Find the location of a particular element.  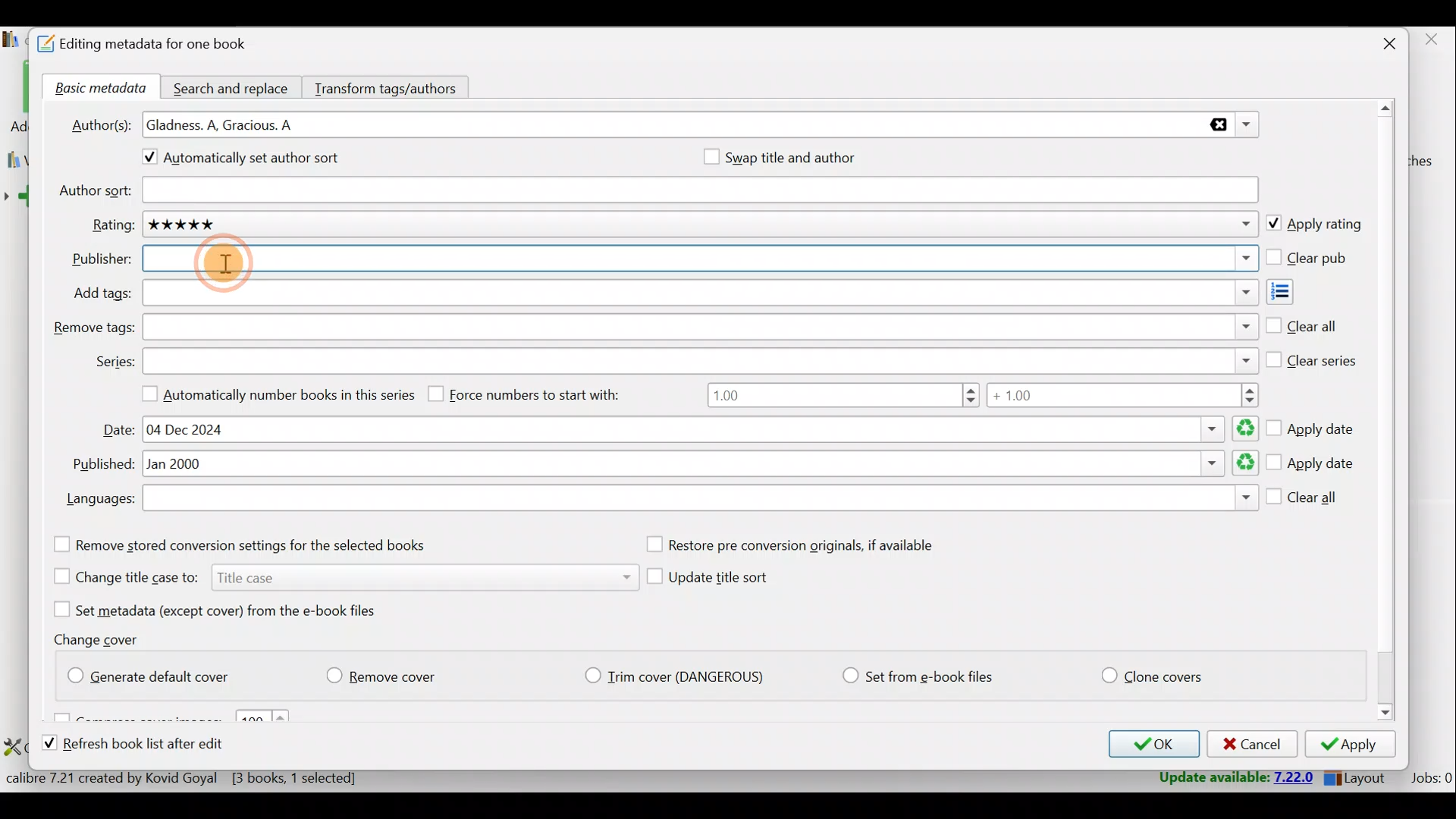

Trim cover (Dangerious) is located at coordinates (679, 678).